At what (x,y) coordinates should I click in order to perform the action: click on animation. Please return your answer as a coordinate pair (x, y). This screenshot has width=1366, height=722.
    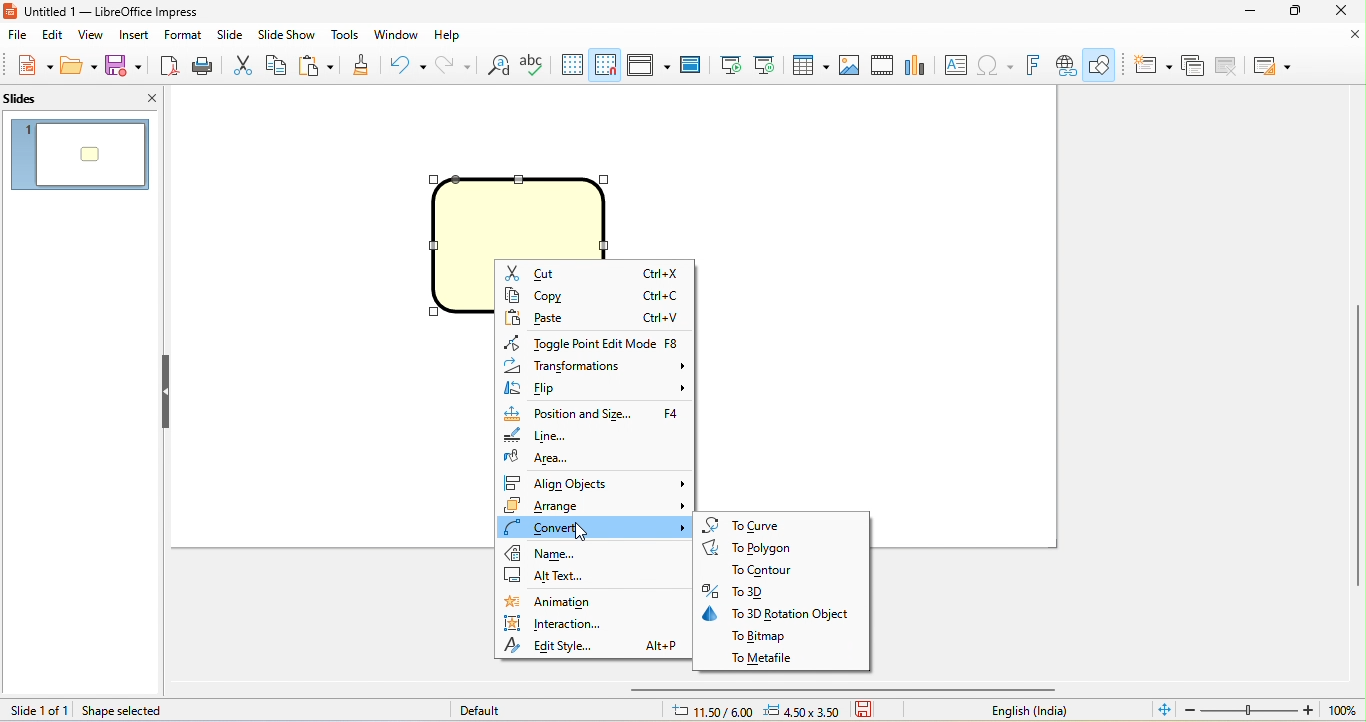
    Looking at the image, I should click on (566, 603).